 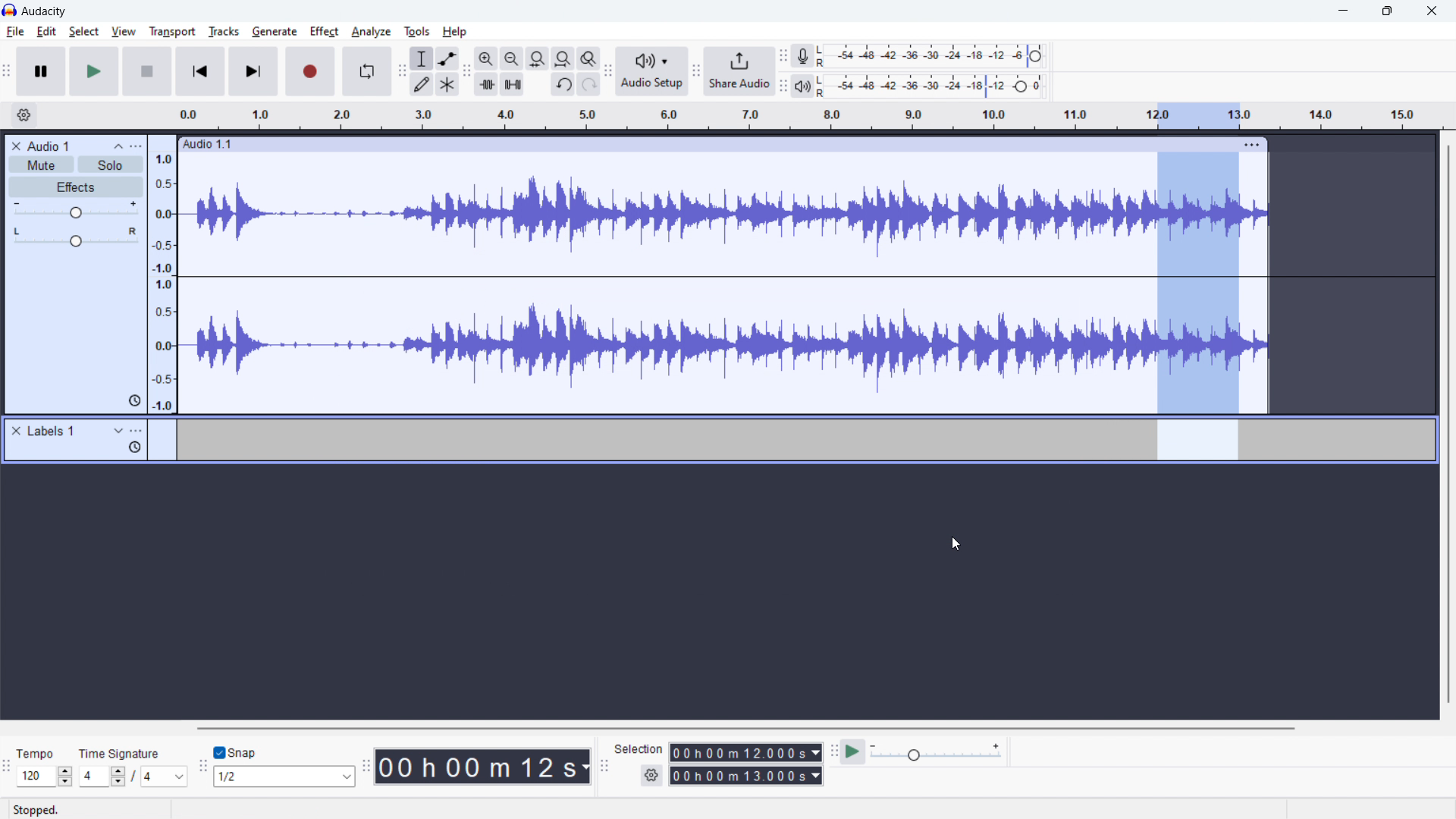 I want to click on audio setup toolbar, so click(x=607, y=71).